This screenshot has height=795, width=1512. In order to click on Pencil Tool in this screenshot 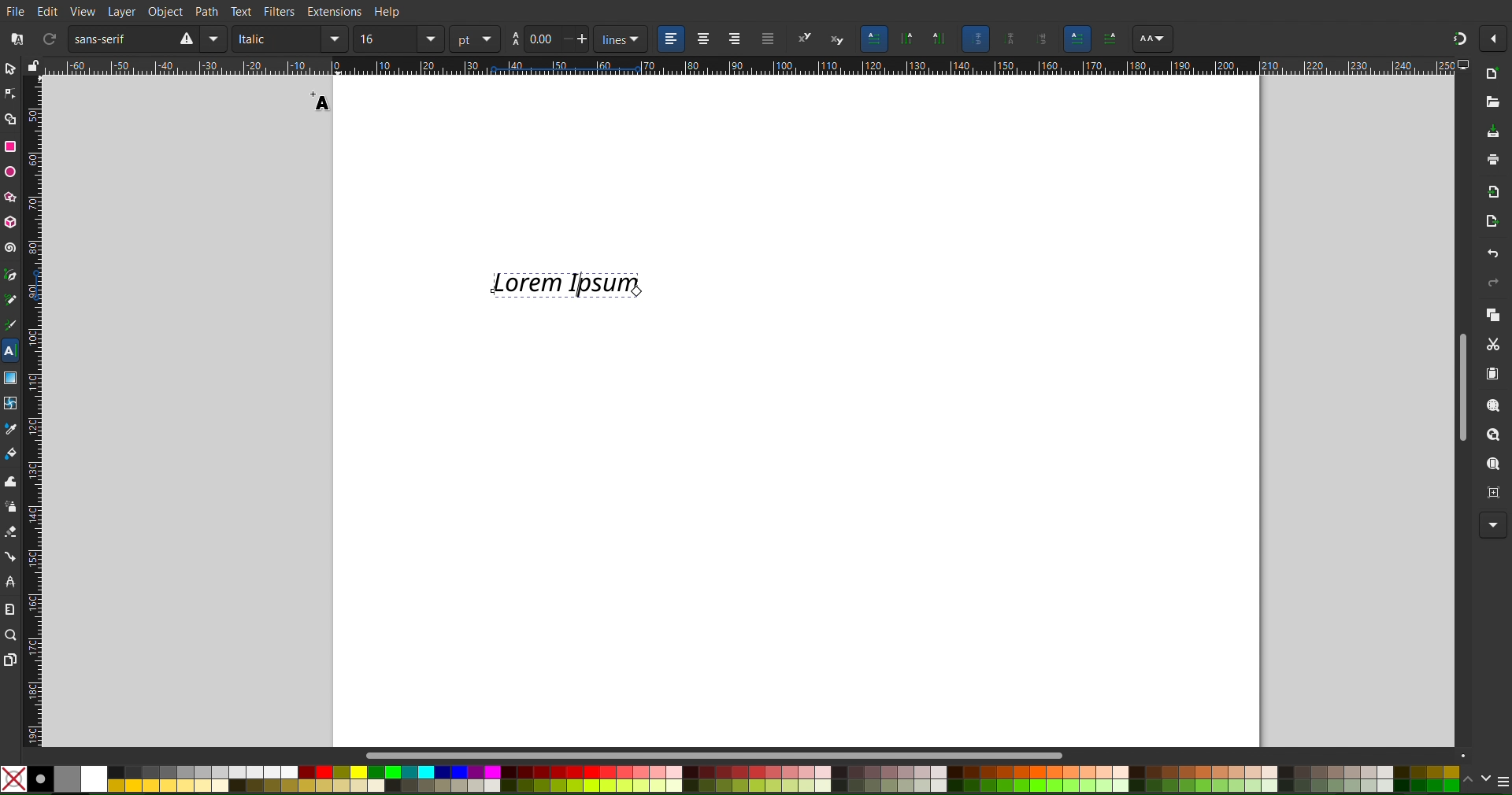, I will do `click(10, 299)`.